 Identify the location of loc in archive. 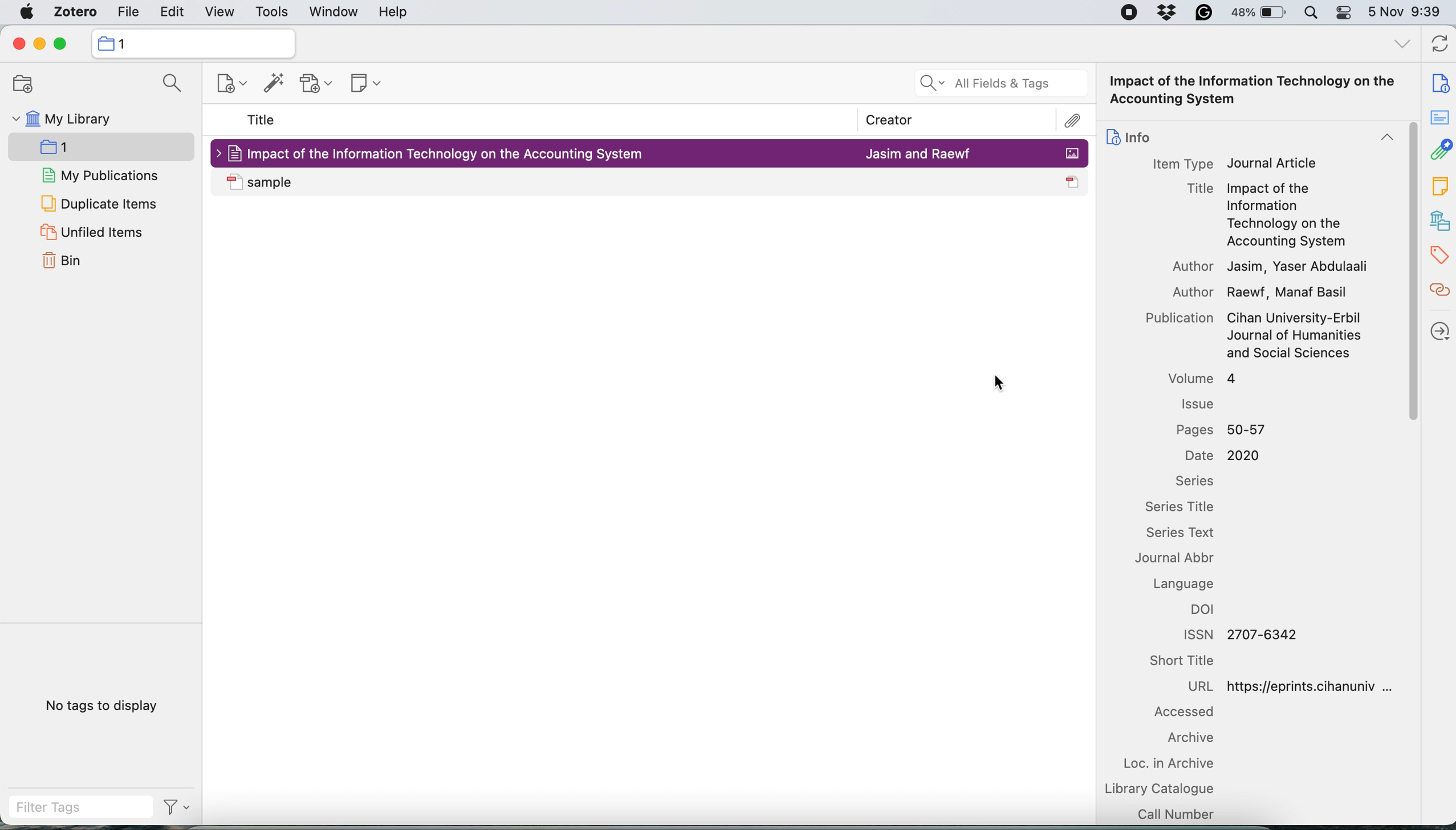
(1169, 765).